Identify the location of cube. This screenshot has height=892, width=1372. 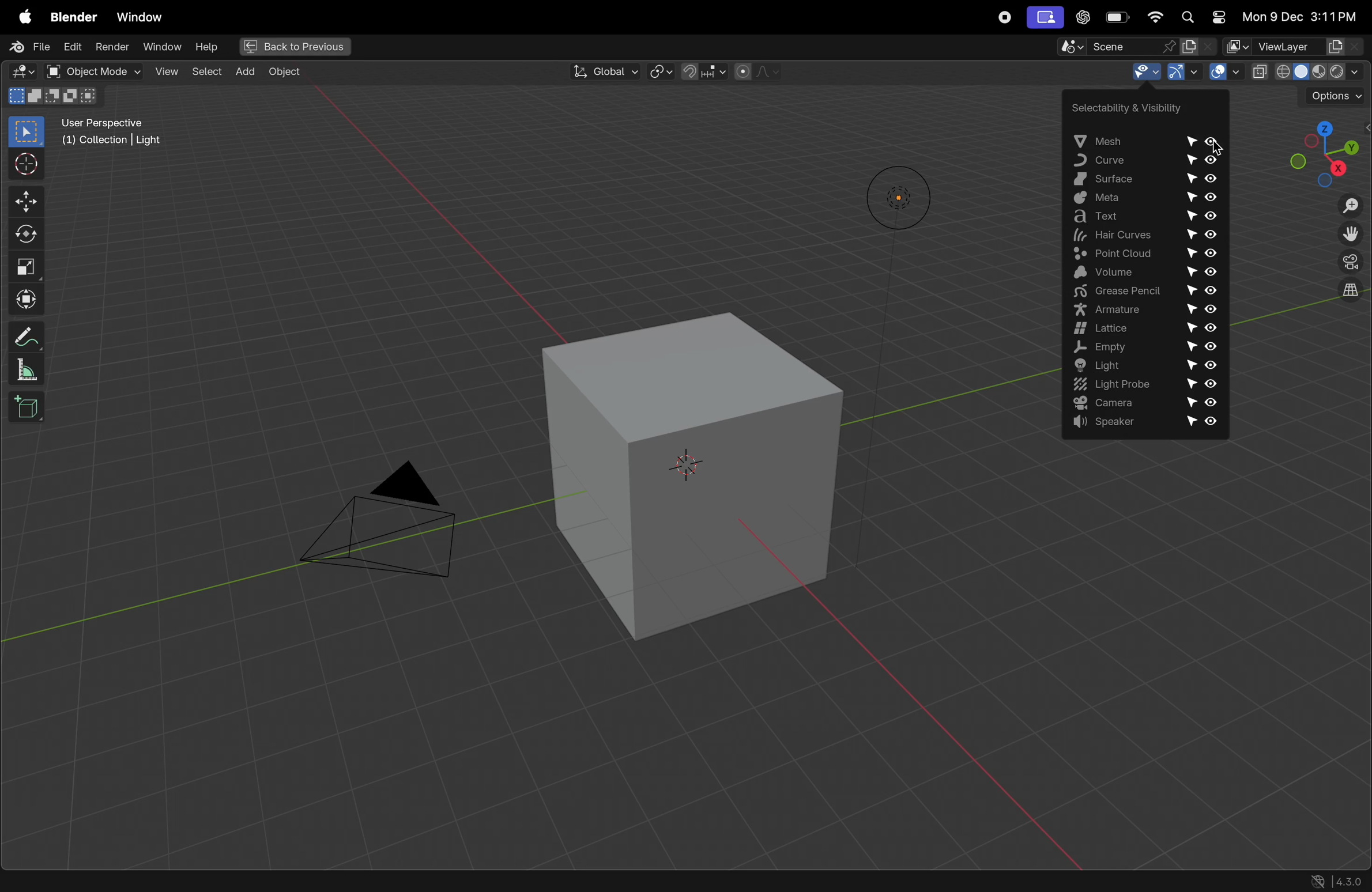
(677, 475).